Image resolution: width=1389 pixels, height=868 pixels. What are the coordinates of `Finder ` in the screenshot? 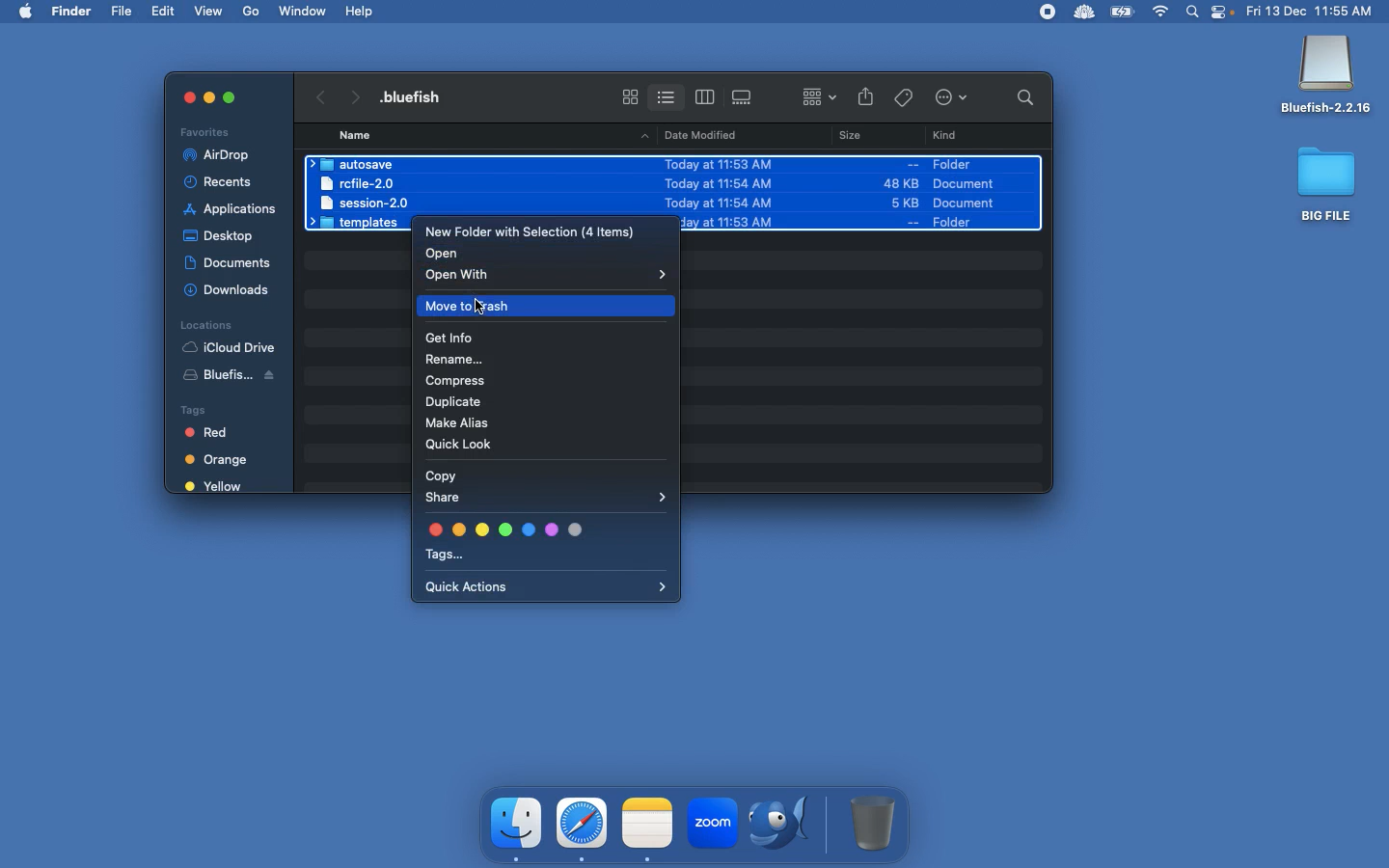 It's located at (72, 12).